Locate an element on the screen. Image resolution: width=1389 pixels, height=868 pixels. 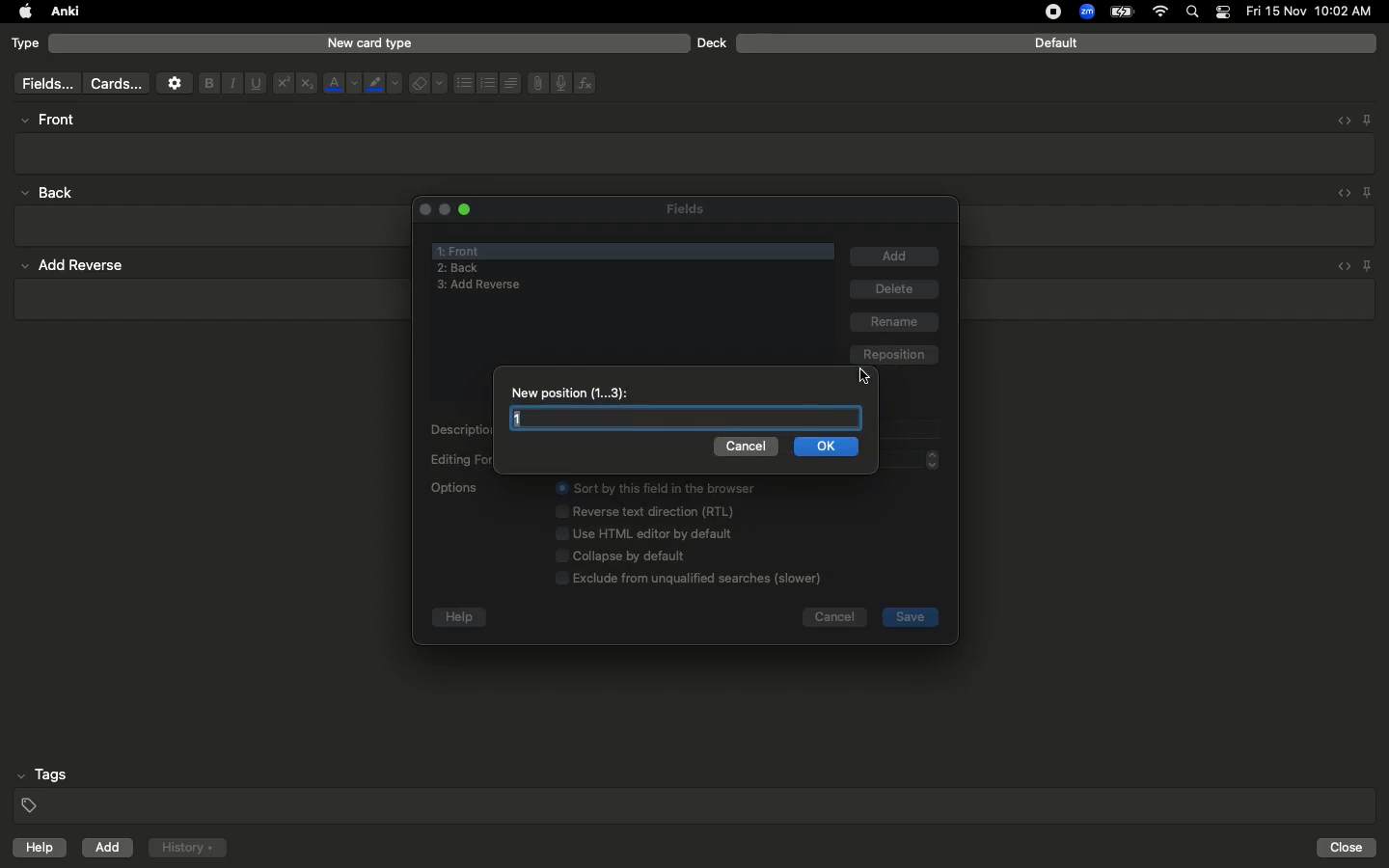
Add is located at coordinates (895, 257).